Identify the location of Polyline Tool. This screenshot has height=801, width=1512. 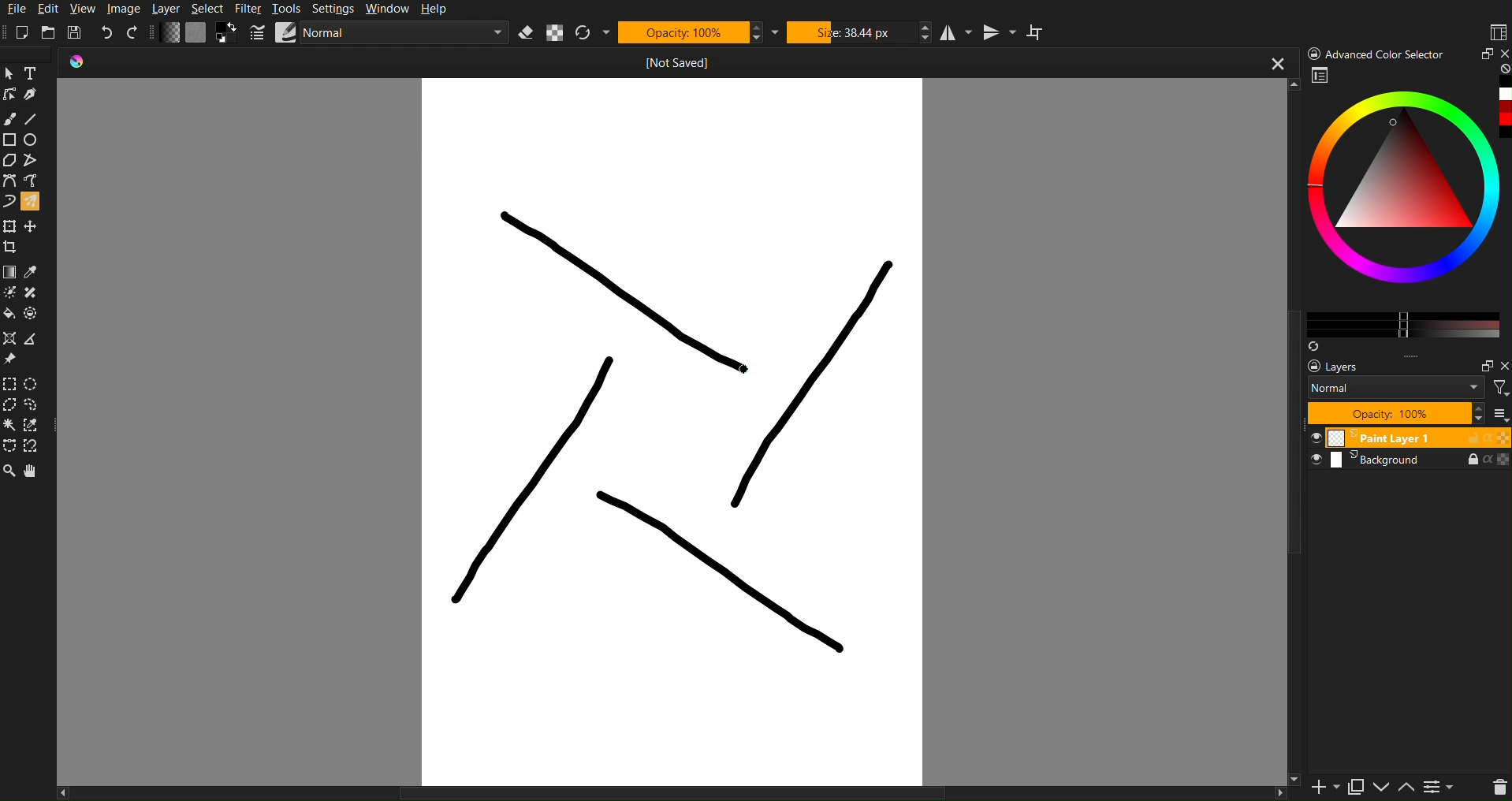
(34, 161).